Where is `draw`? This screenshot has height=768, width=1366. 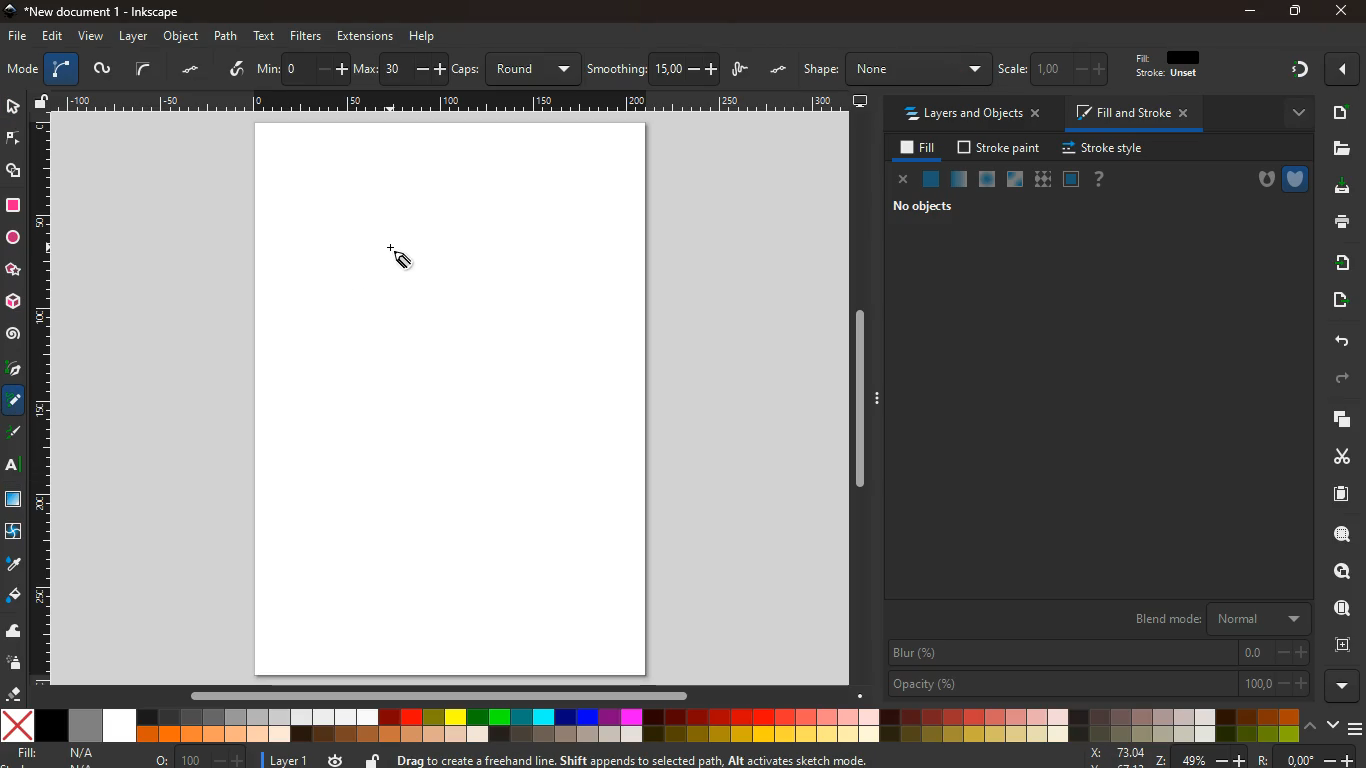
draw is located at coordinates (742, 71).